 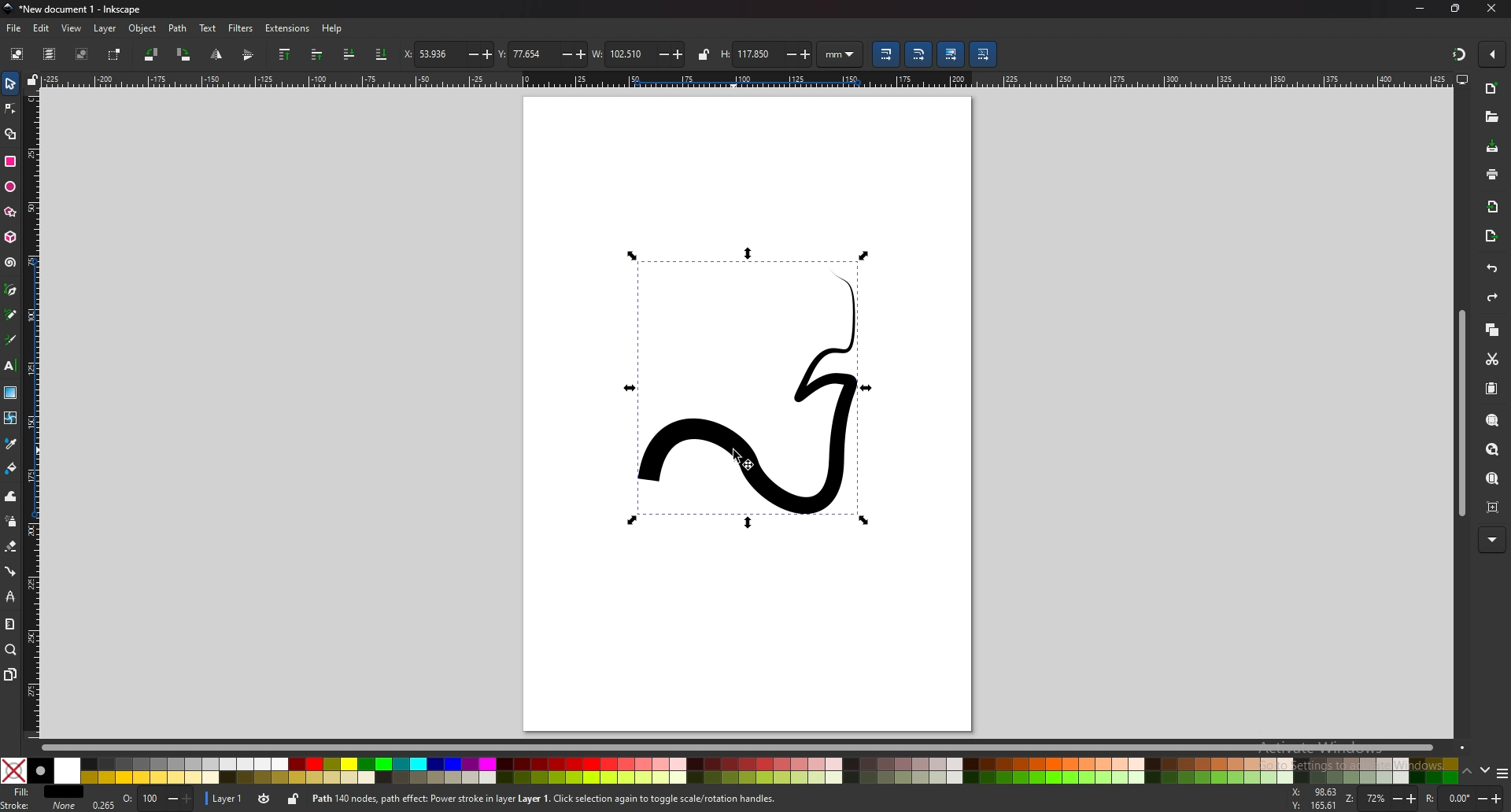 I want to click on file, so click(x=13, y=28).